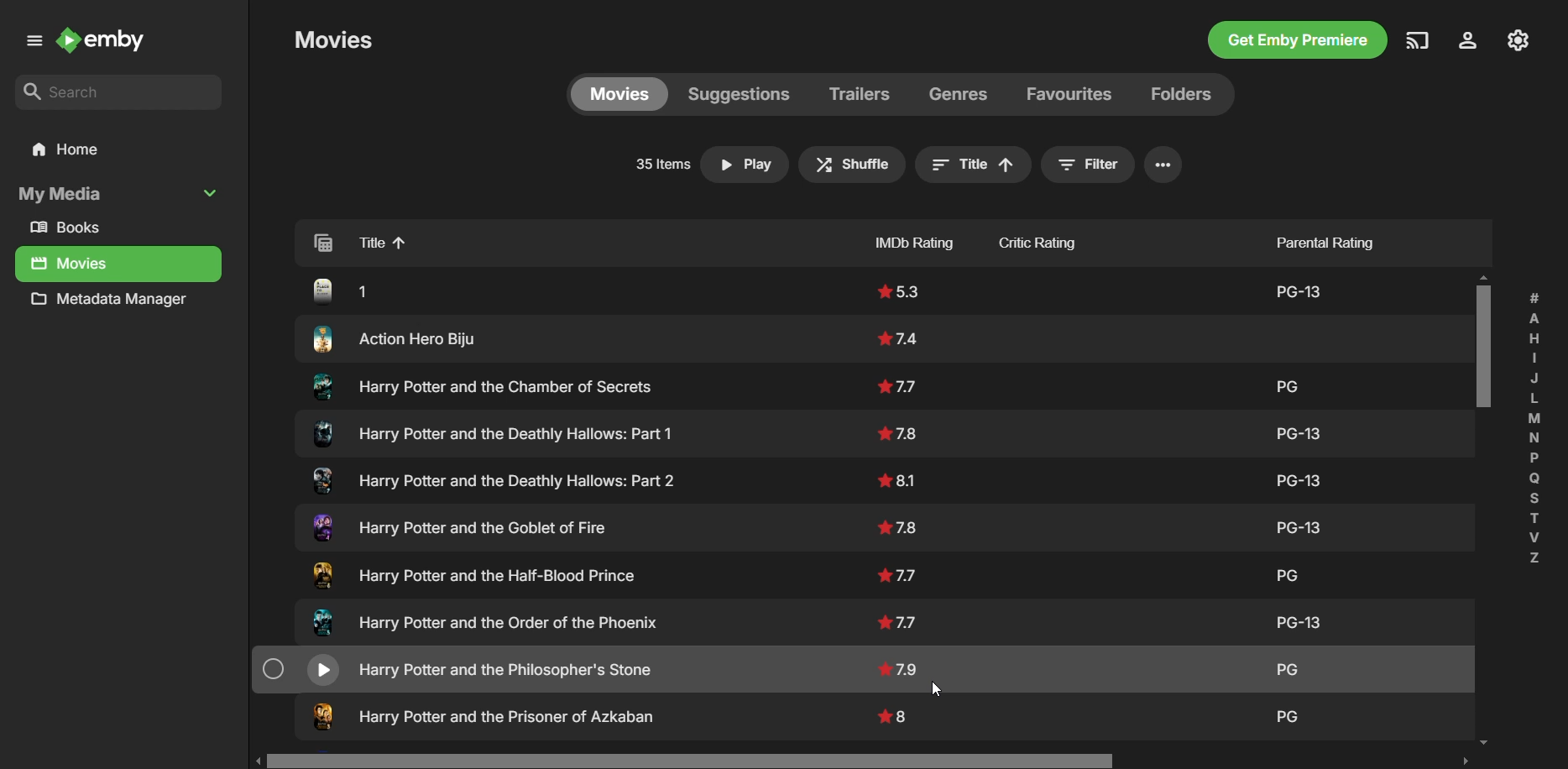 The image size is (1568, 769). What do you see at coordinates (486, 711) in the screenshot?
I see `` at bounding box center [486, 711].